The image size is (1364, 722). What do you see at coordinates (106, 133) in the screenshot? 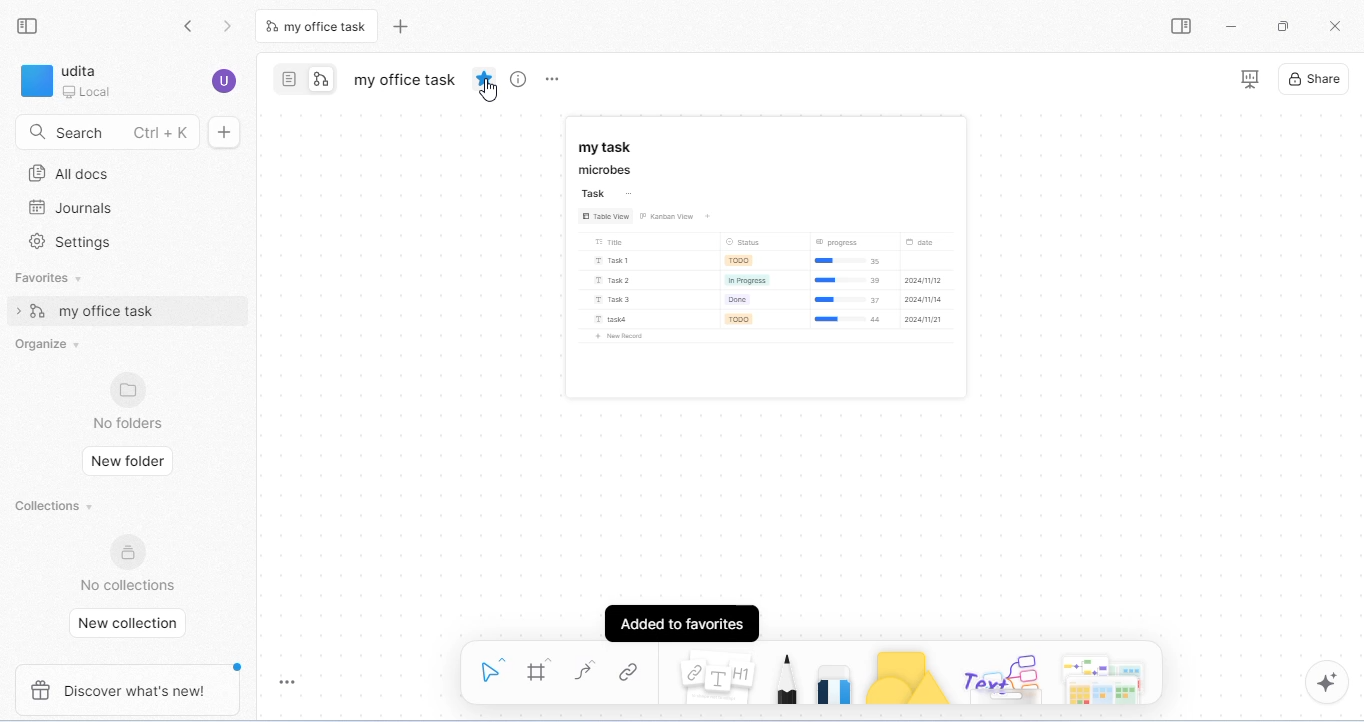
I see `search` at bounding box center [106, 133].